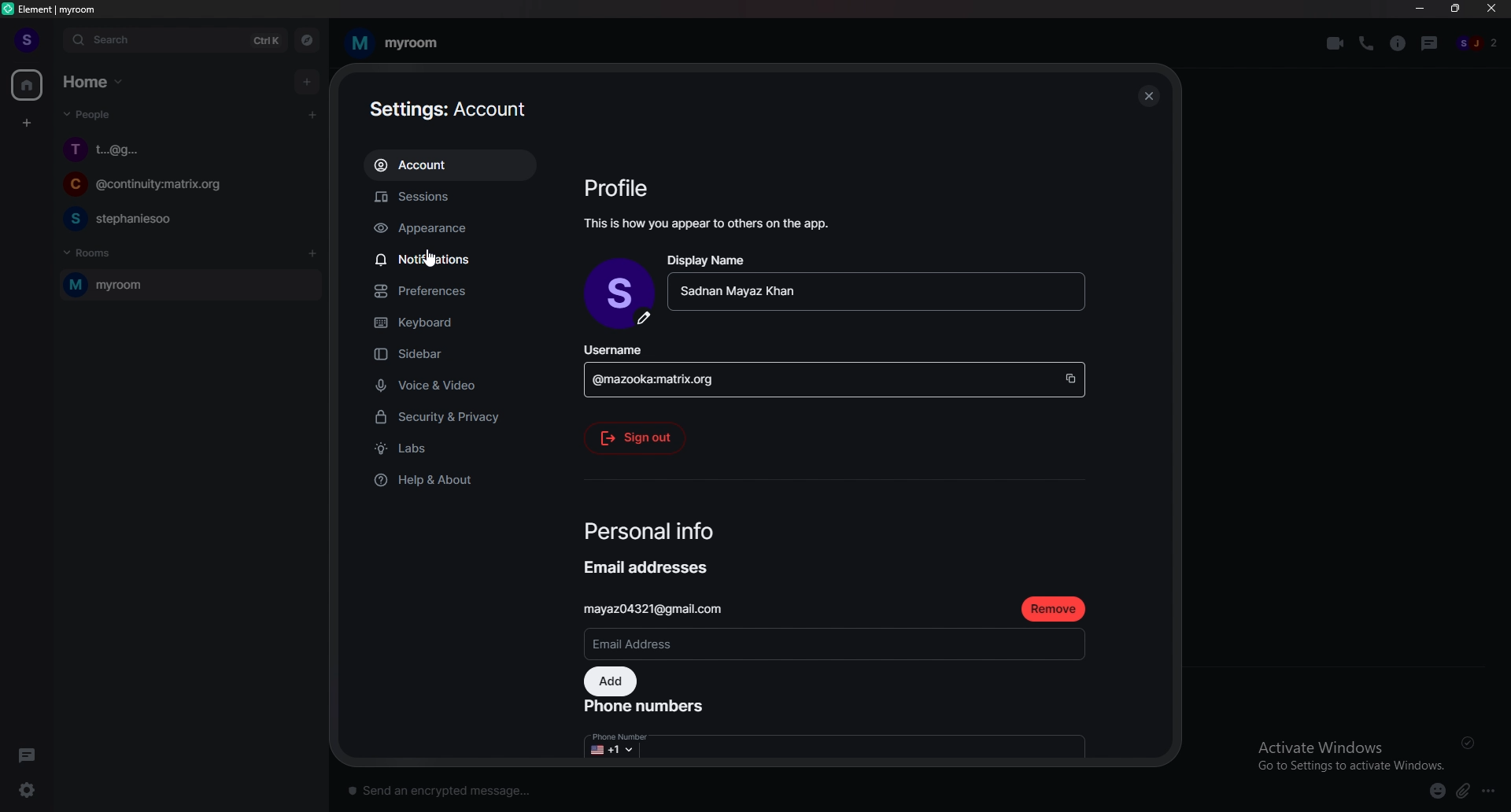 Image resolution: width=1511 pixels, height=812 pixels. What do you see at coordinates (649, 705) in the screenshot?
I see `phone numbers` at bounding box center [649, 705].